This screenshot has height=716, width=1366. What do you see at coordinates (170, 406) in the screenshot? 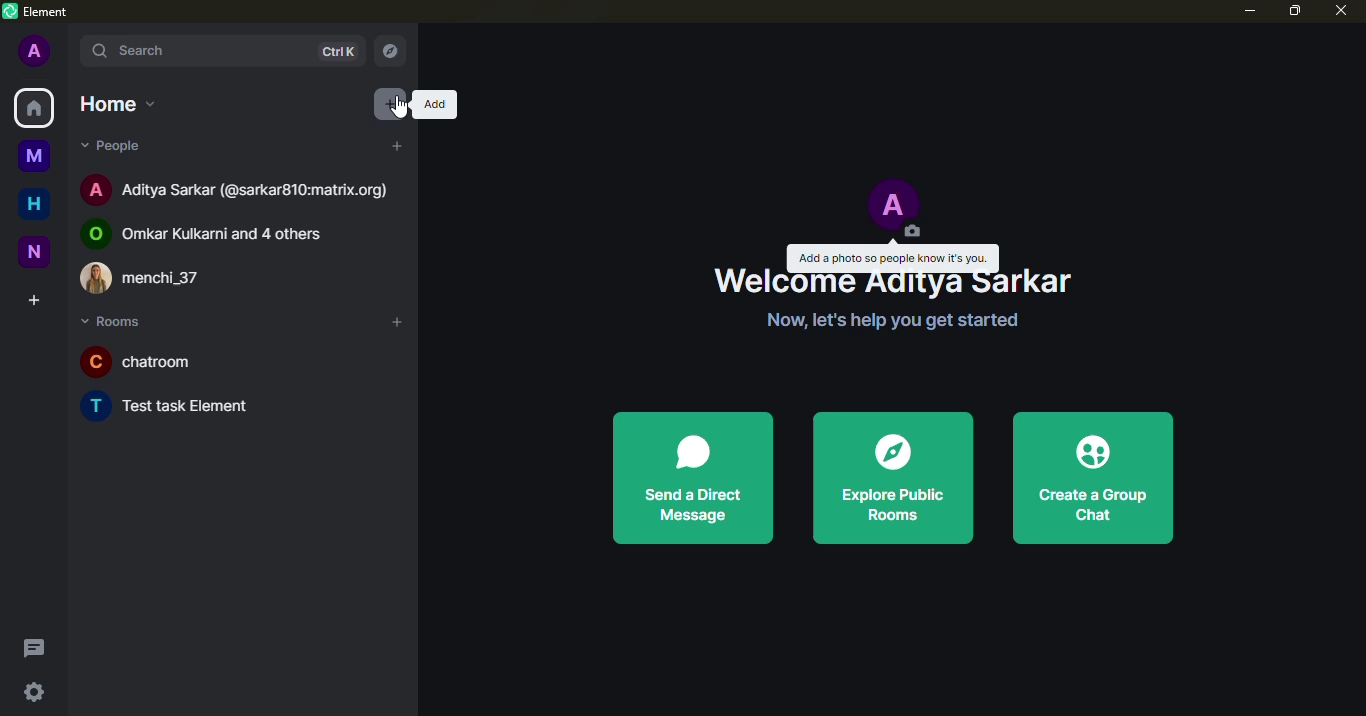
I see `Test task Element.` at bounding box center [170, 406].